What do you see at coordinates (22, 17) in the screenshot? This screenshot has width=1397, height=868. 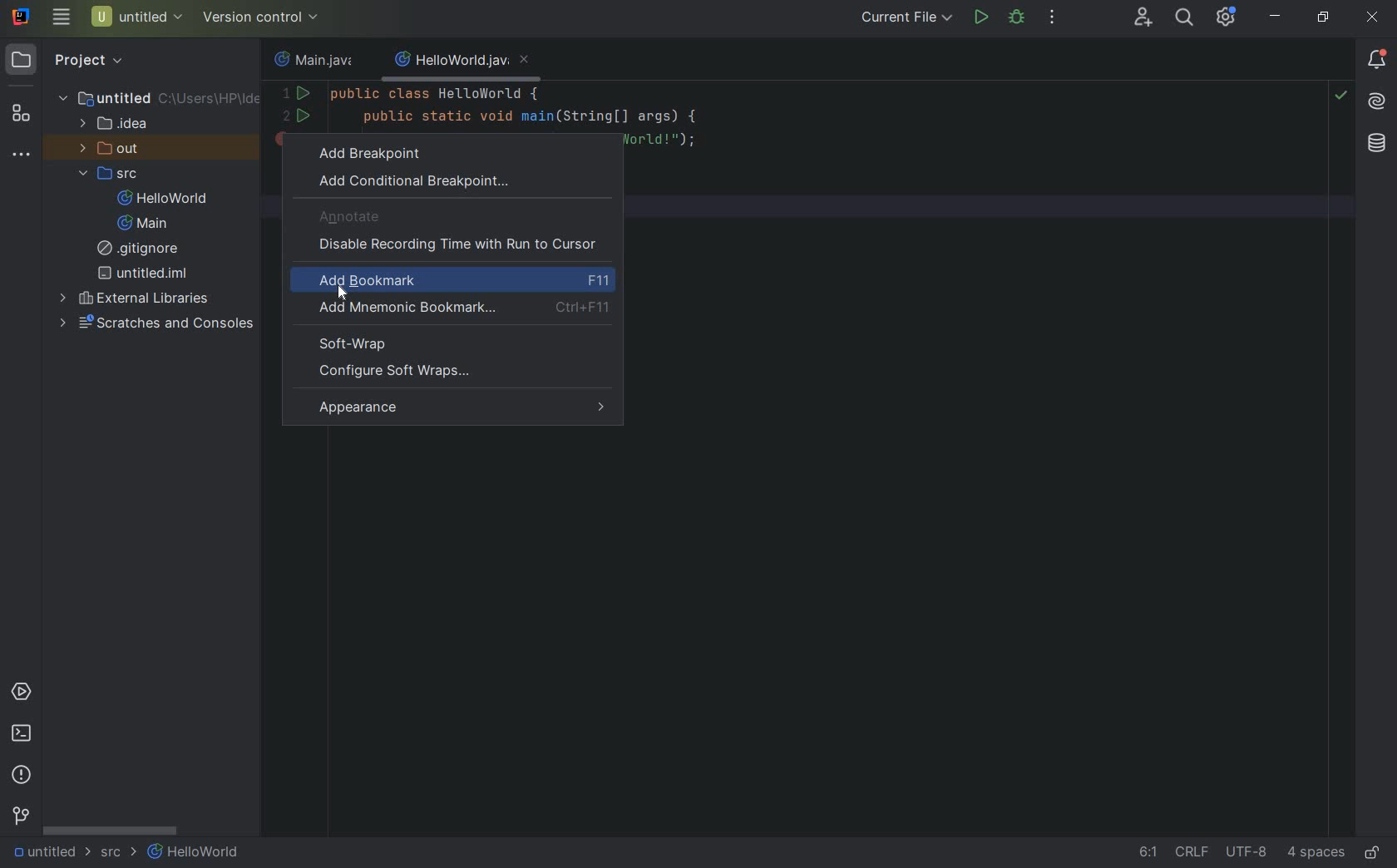 I see `system name` at bounding box center [22, 17].